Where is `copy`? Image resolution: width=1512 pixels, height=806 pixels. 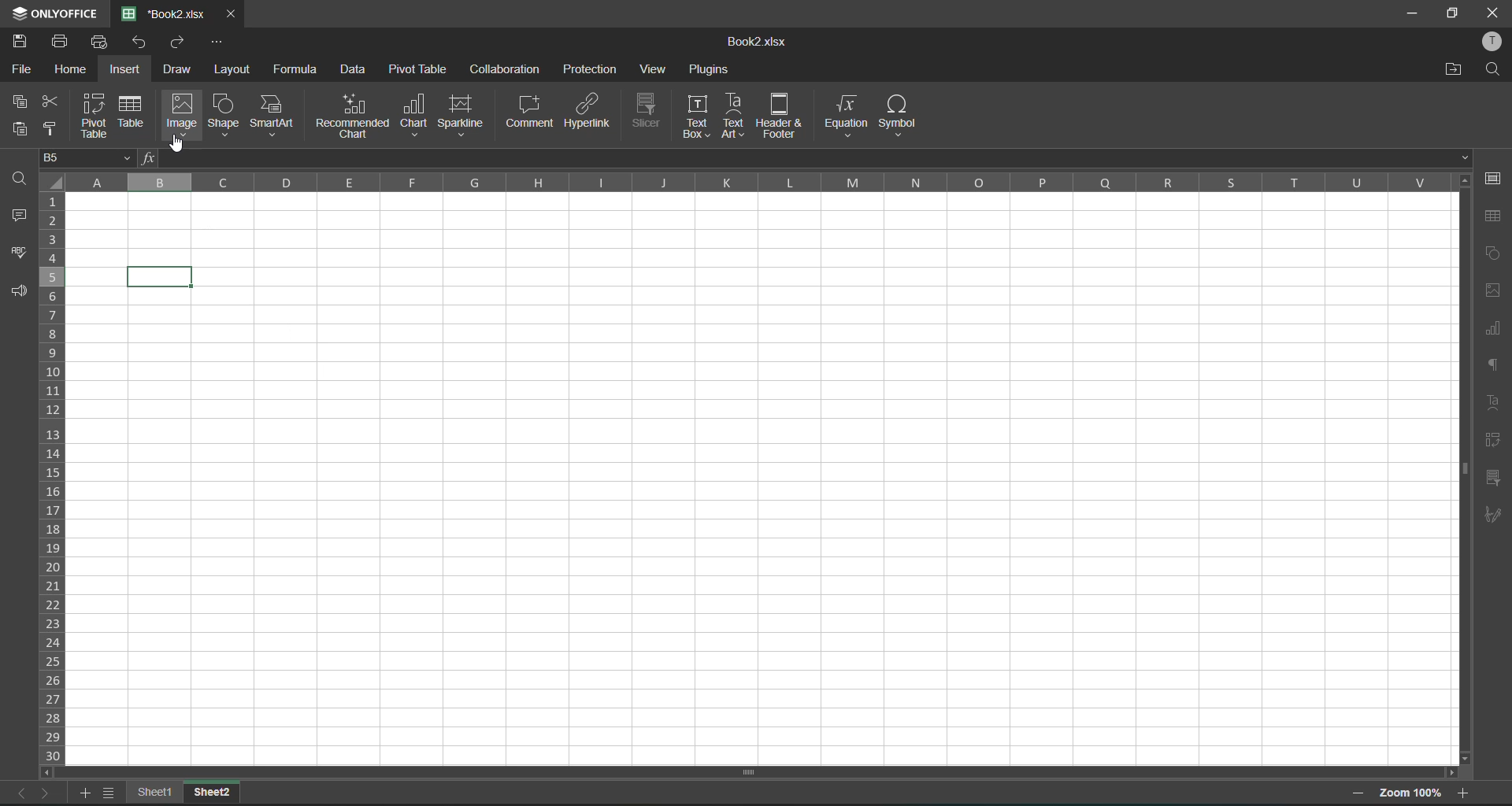 copy is located at coordinates (20, 102).